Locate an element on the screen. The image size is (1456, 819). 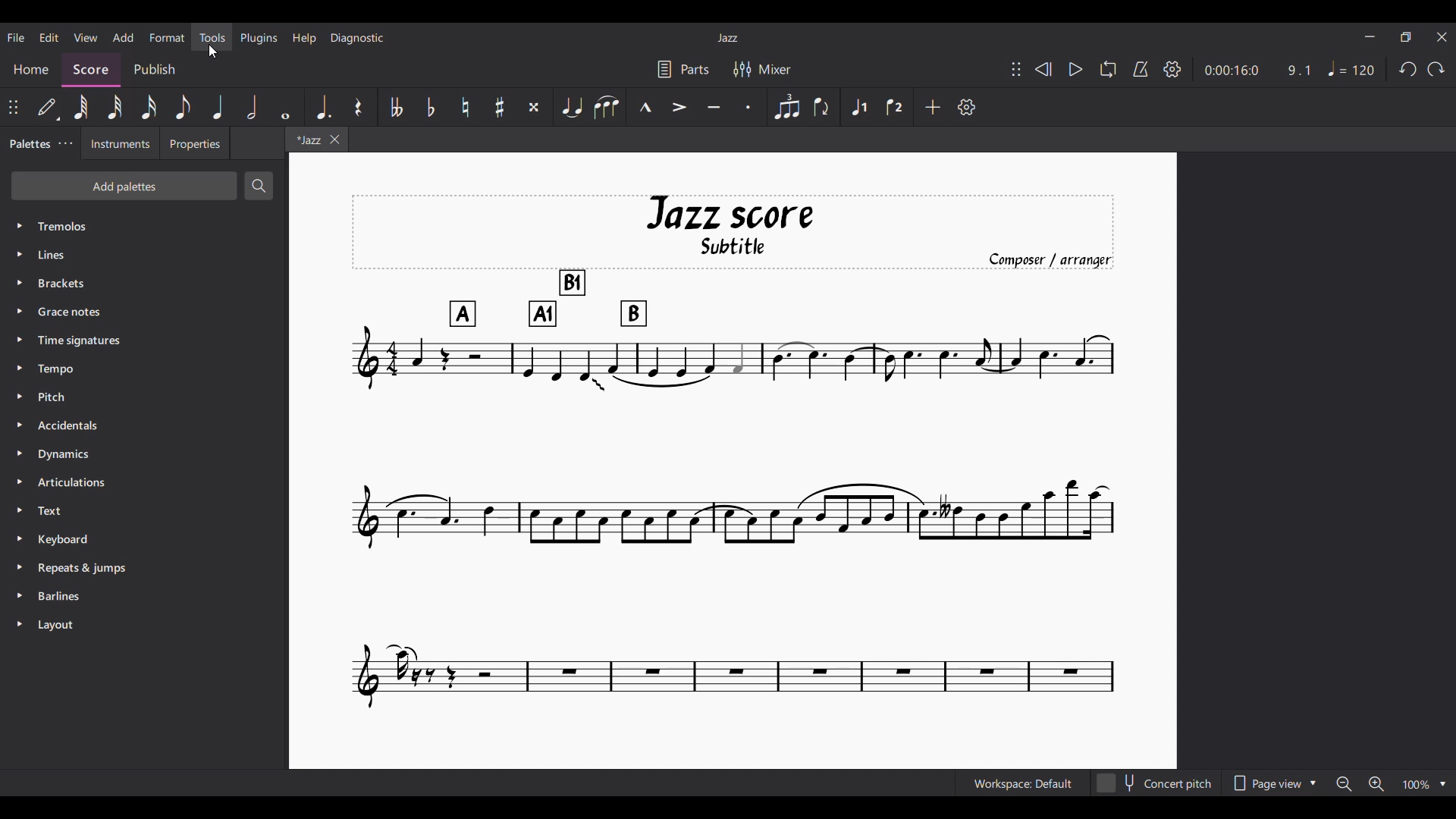
Voice 1 is located at coordinates (859, 107).